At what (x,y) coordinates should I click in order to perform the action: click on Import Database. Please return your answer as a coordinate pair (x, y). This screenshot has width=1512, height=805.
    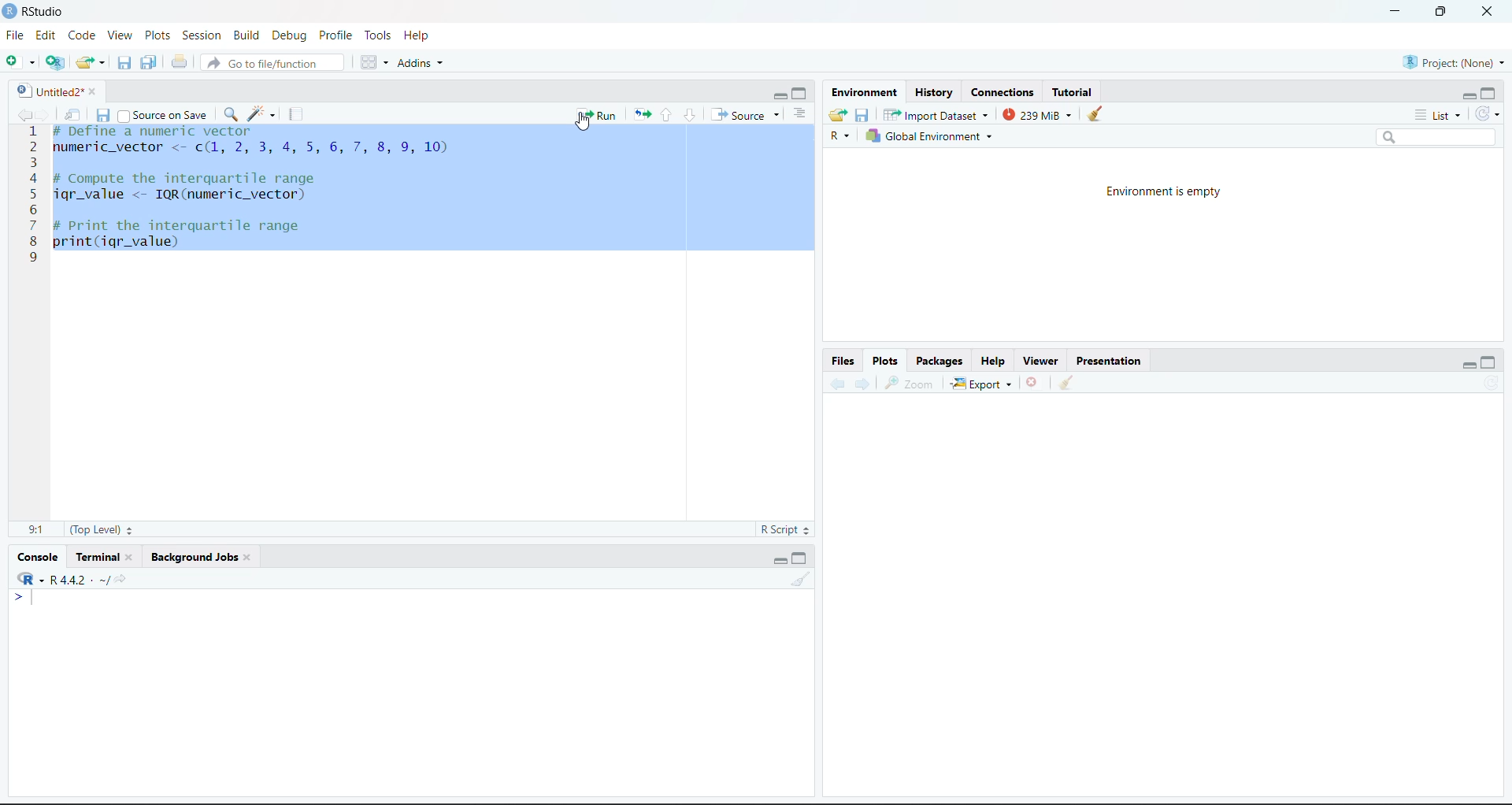
    Looking at the image, I should click on (937, 116).